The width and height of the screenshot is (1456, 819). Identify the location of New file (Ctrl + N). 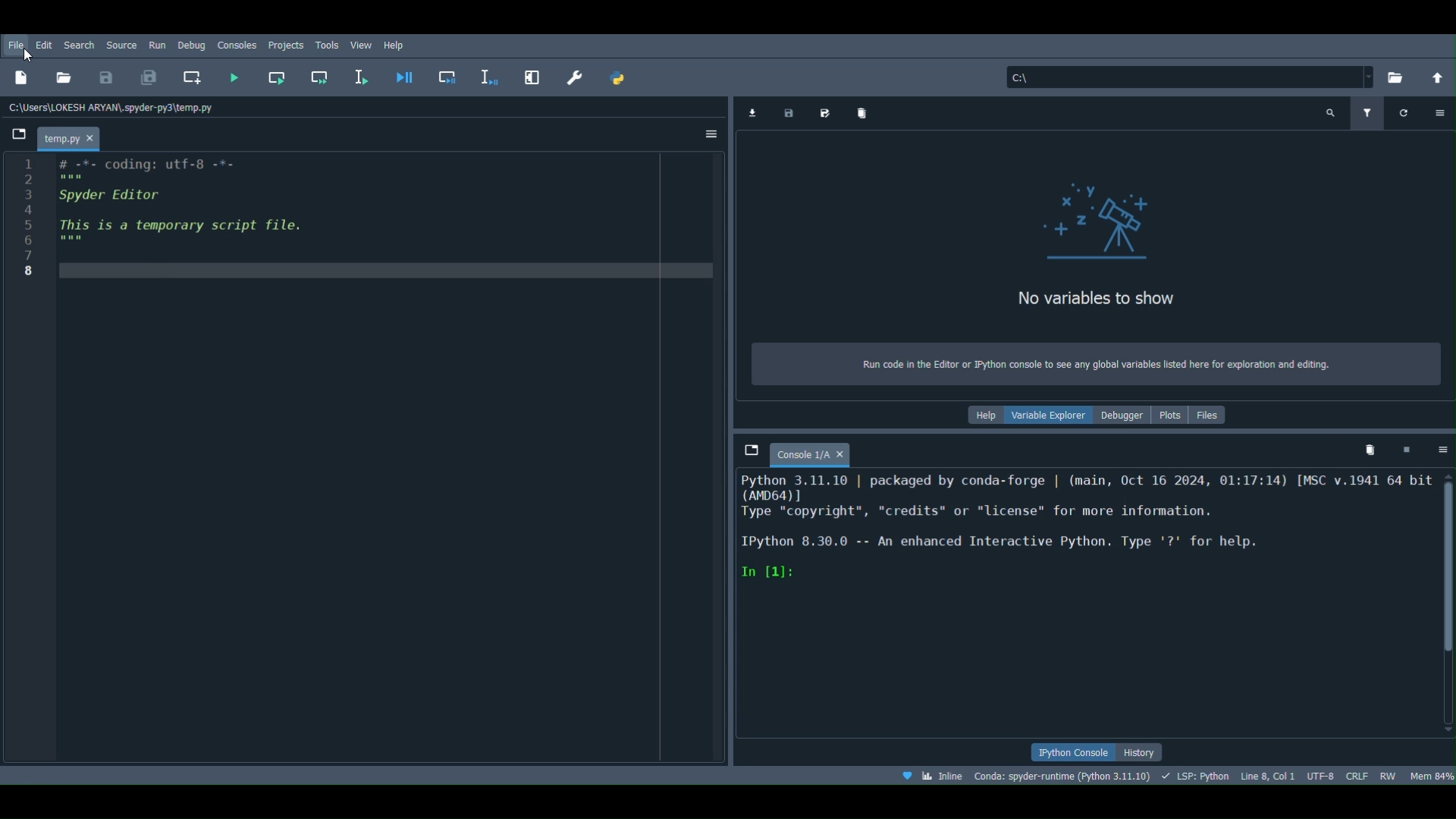
(24, 80).